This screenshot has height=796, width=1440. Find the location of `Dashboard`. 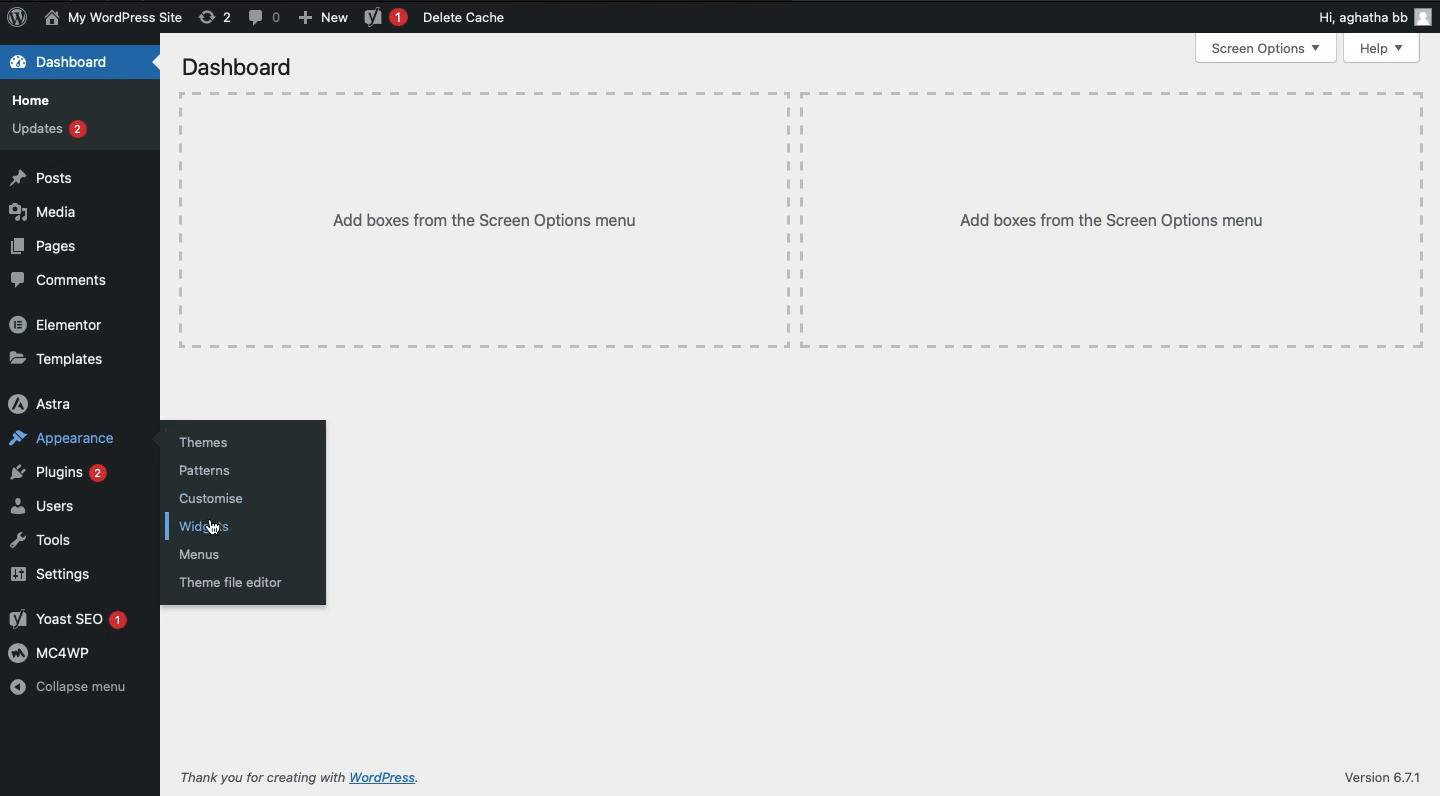

Dashboard is located at coordinates (243, 67).